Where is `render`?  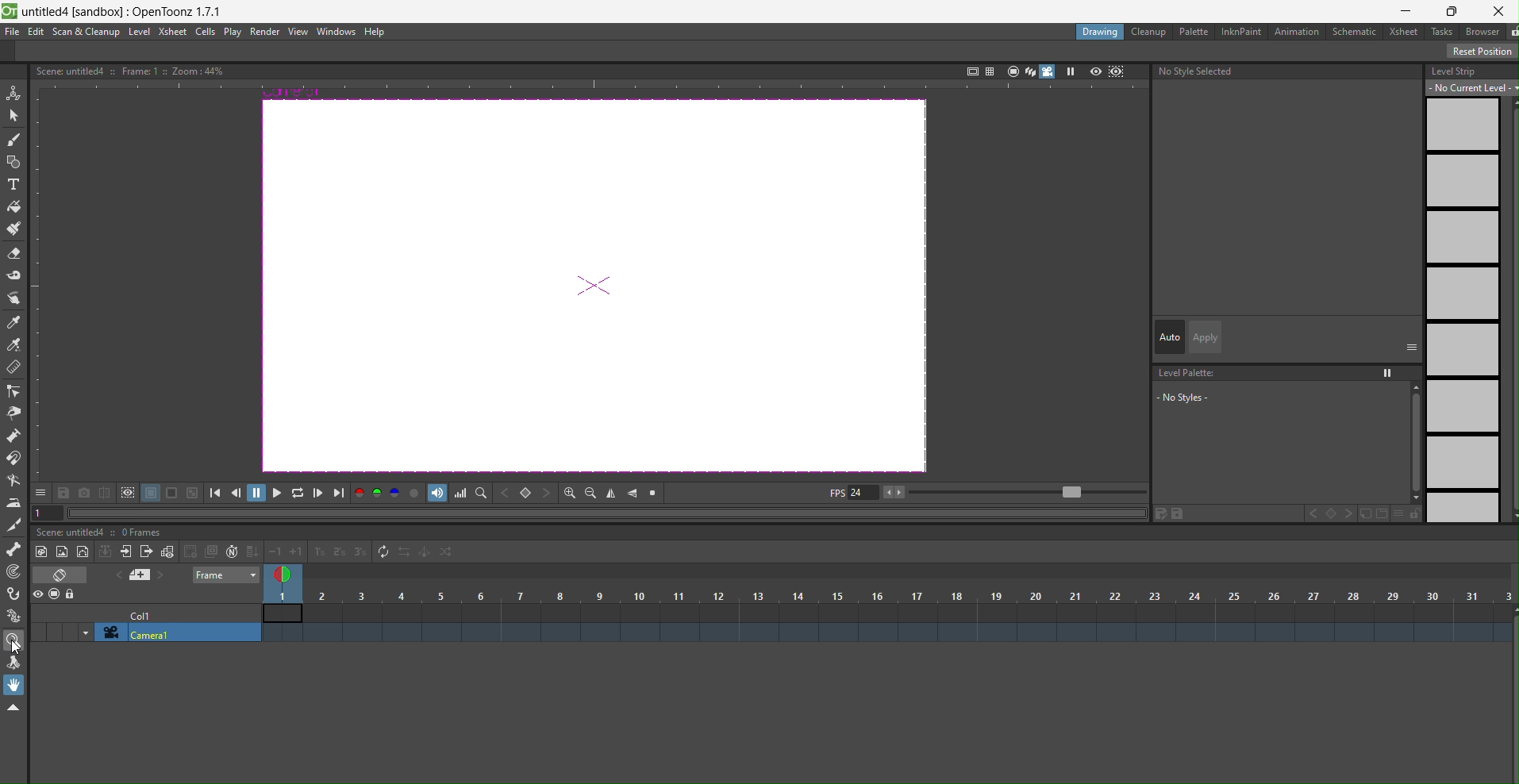 render is located at coordinates (266, 33).